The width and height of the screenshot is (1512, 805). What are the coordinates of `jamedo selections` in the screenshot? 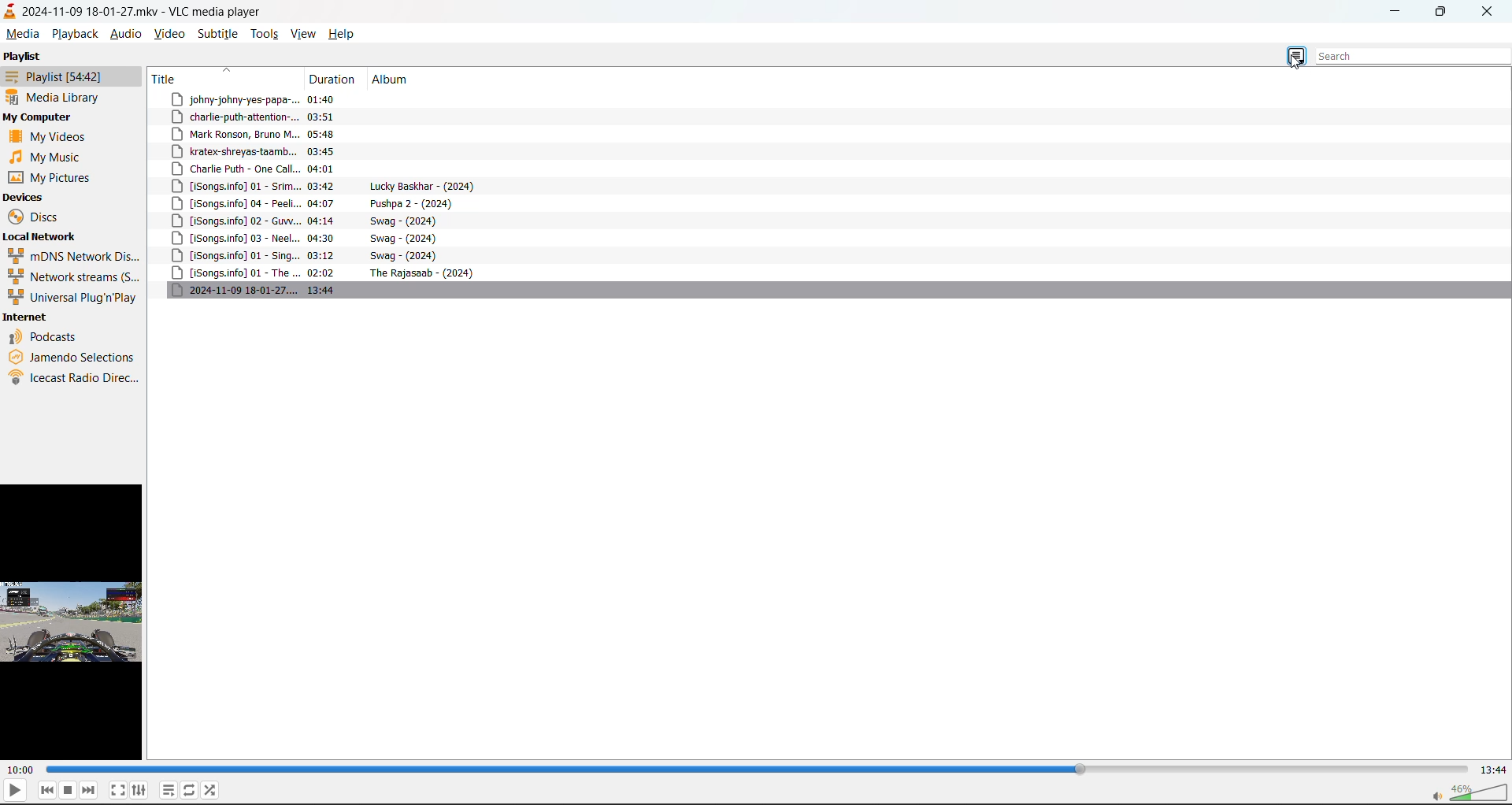 It's located at (72, 357).